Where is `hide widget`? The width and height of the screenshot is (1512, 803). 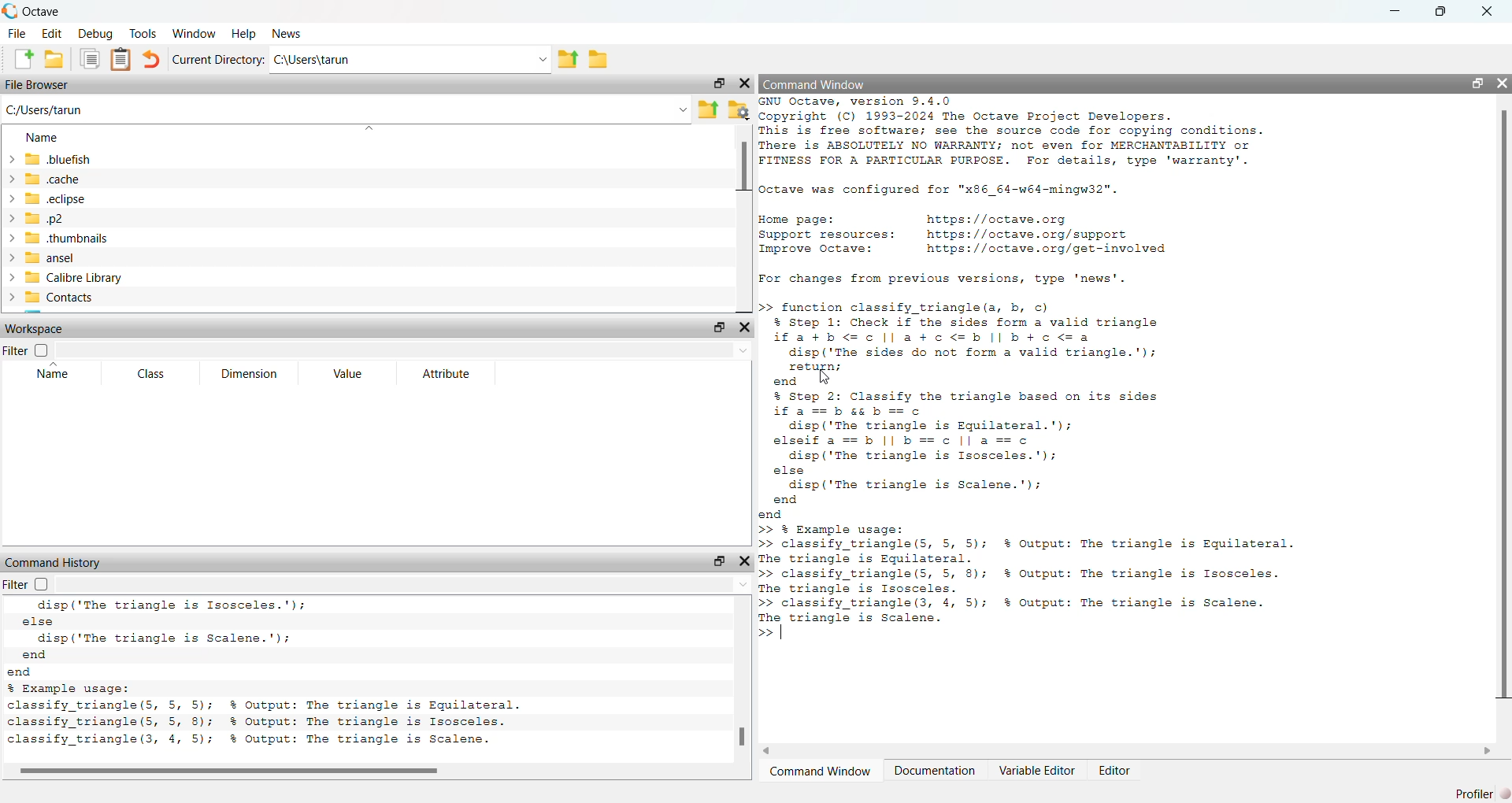 hide widget is located at coordinates (1503, 82).